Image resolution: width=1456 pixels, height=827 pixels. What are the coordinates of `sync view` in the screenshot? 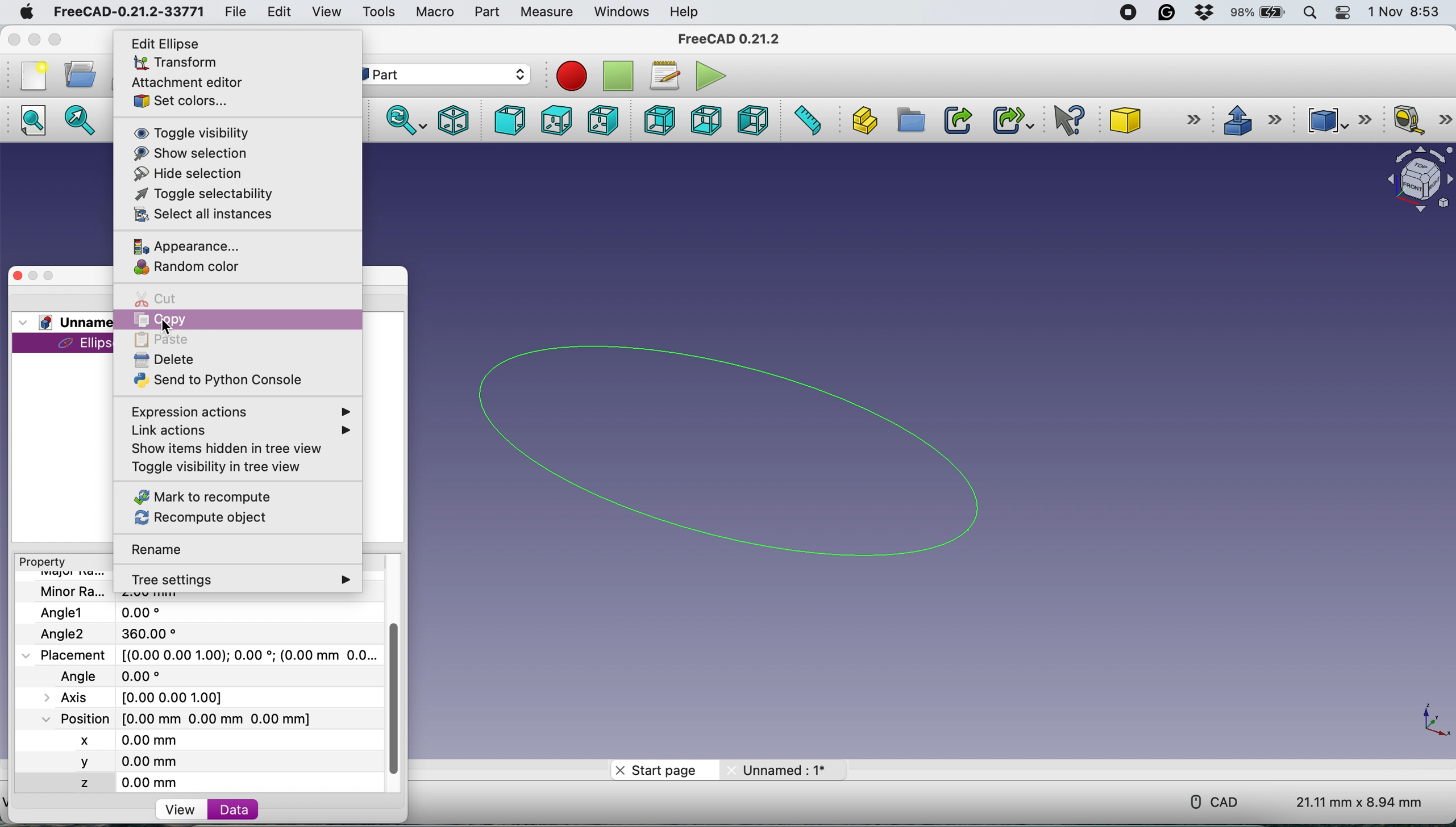 It's located at (406, 120).